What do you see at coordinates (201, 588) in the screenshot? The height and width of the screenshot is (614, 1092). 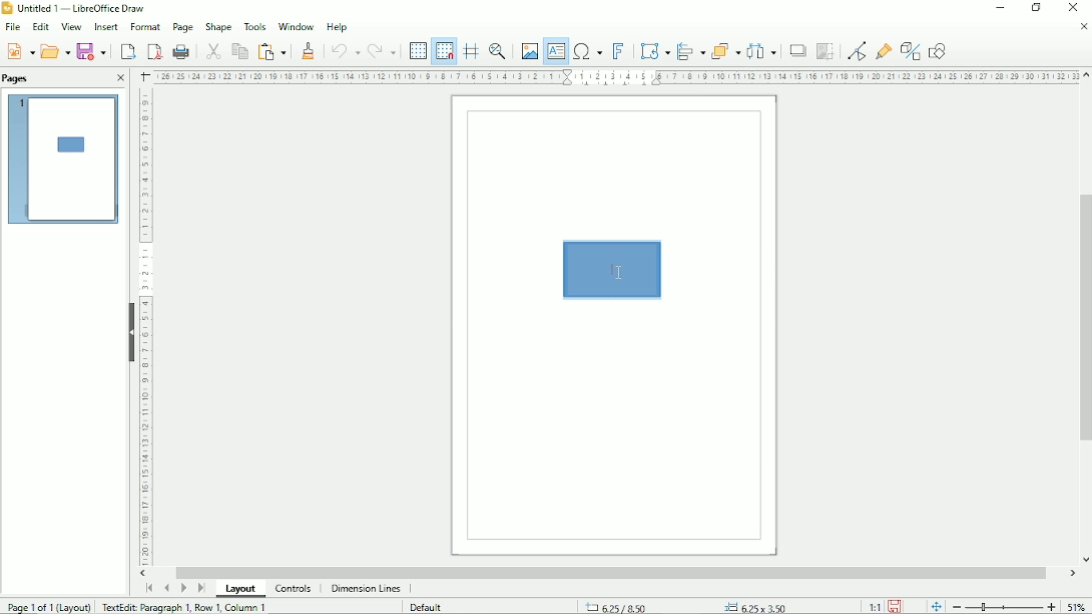 I see `Scroll to last page` at bounding box center [201, 588].